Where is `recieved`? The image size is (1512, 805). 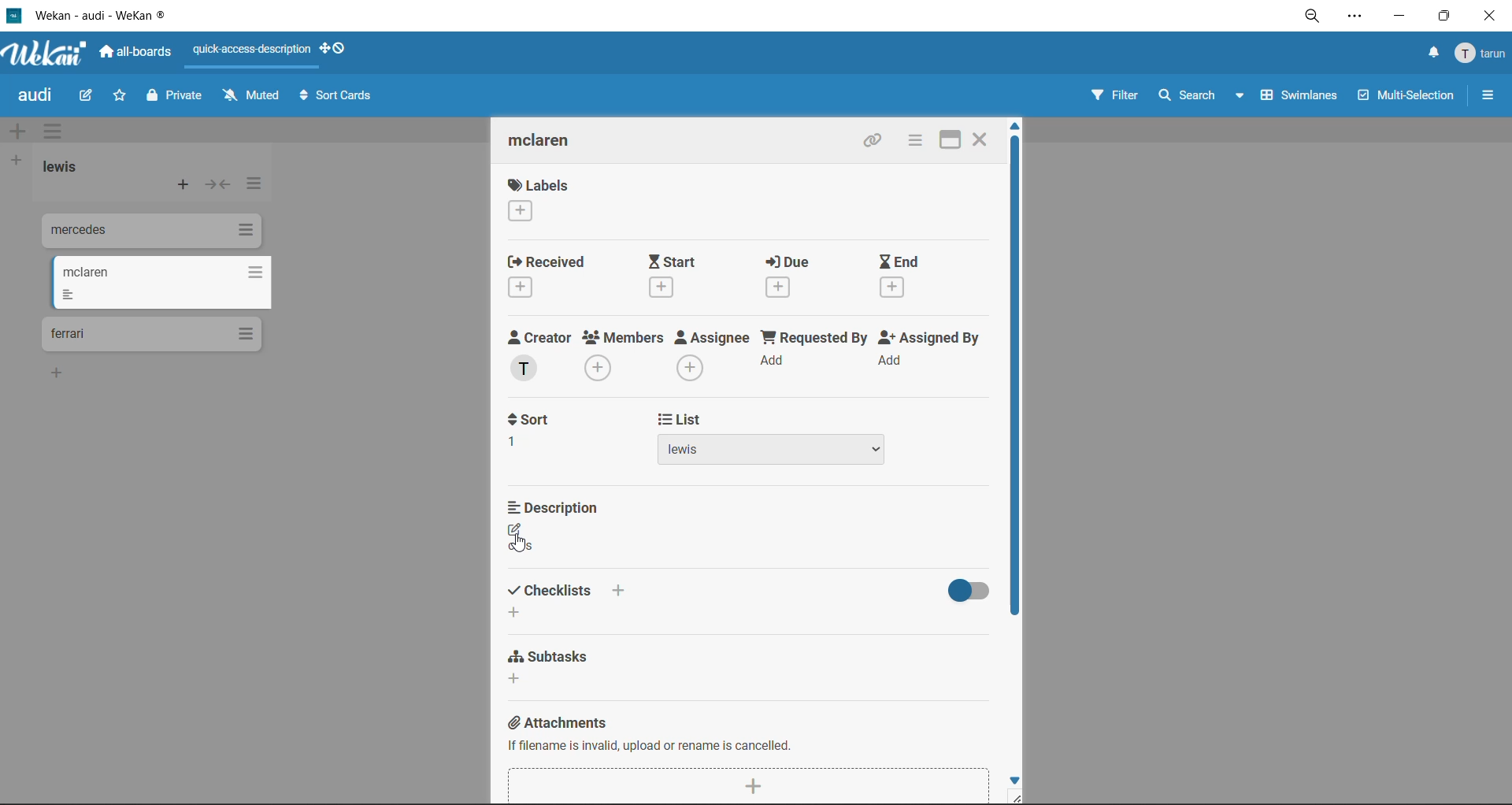
recieved is located at coordinates (552, 276).